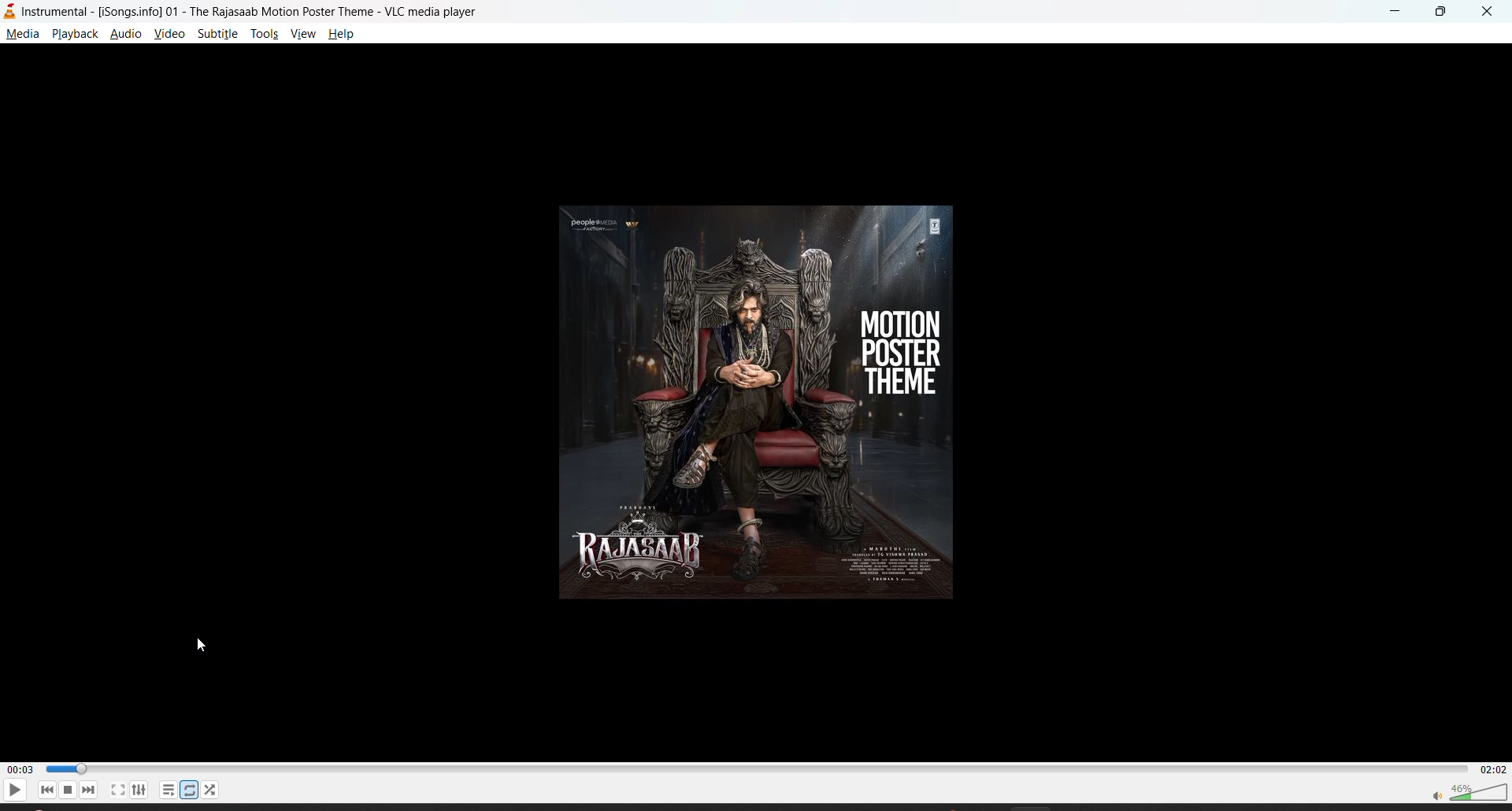  I want to click on play, so click(13, 790).